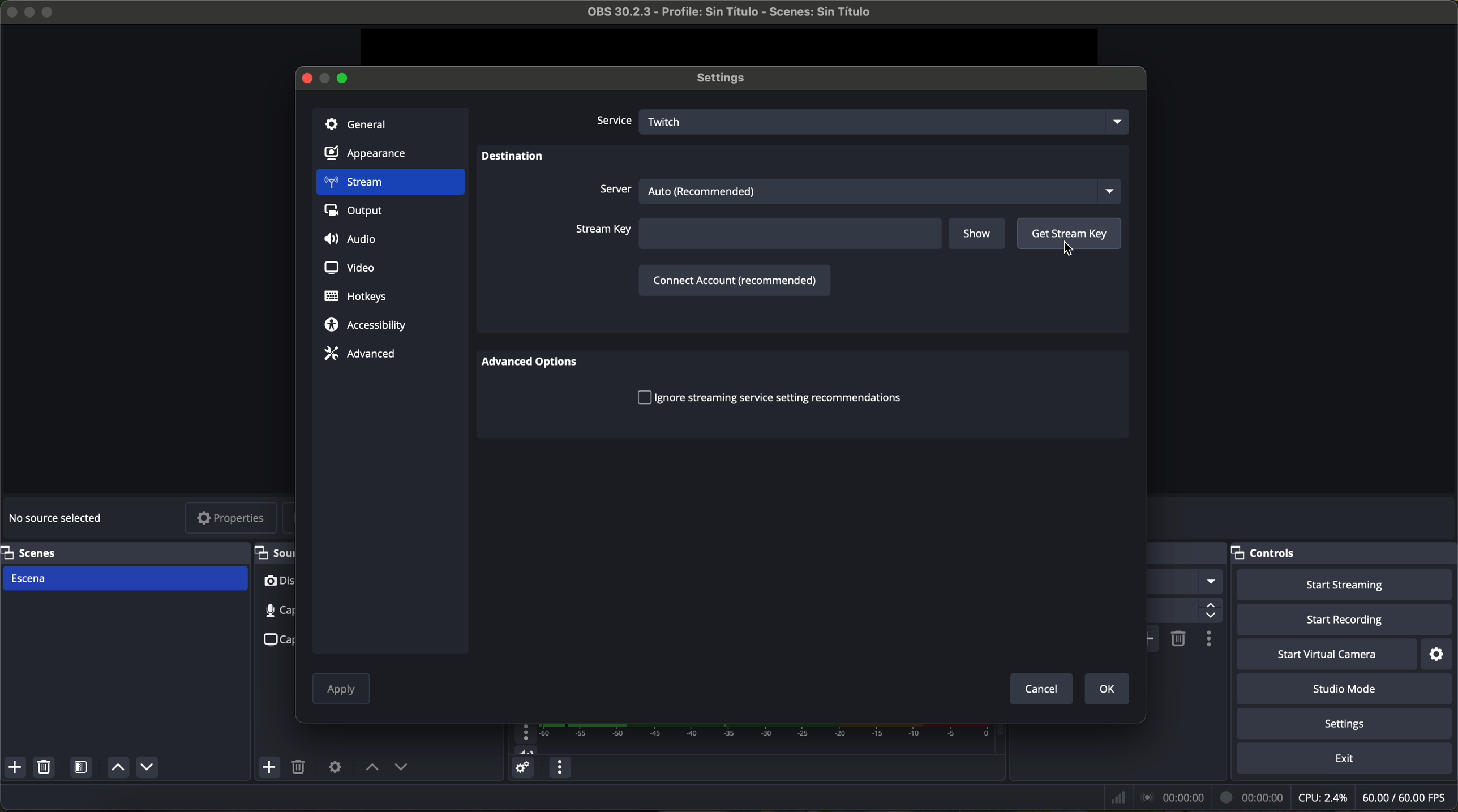  Describe the element at coordinates (732, 279) in the screenshot. I see `connect account` at that location.